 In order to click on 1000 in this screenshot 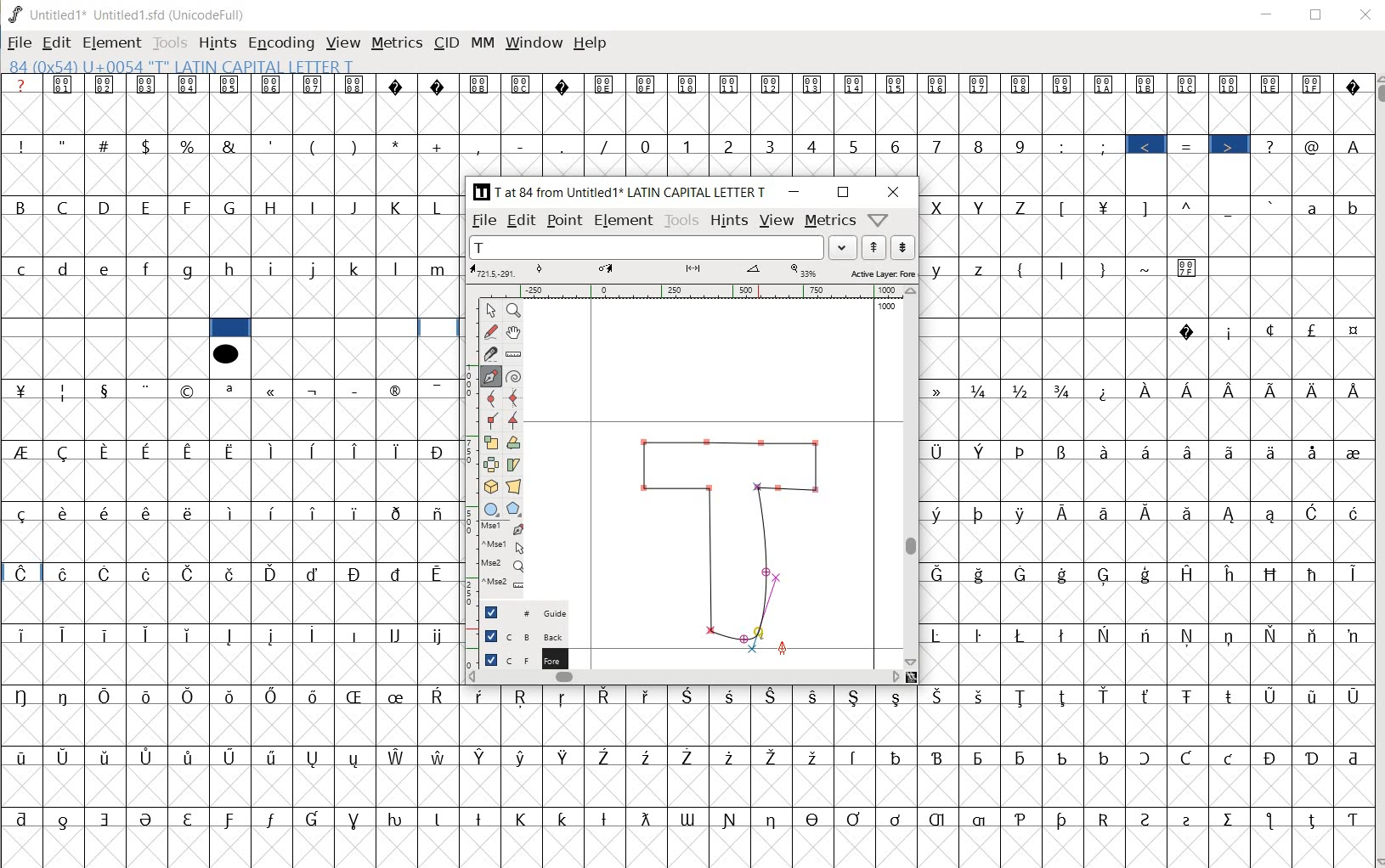, I will do `click(888, 306)`.